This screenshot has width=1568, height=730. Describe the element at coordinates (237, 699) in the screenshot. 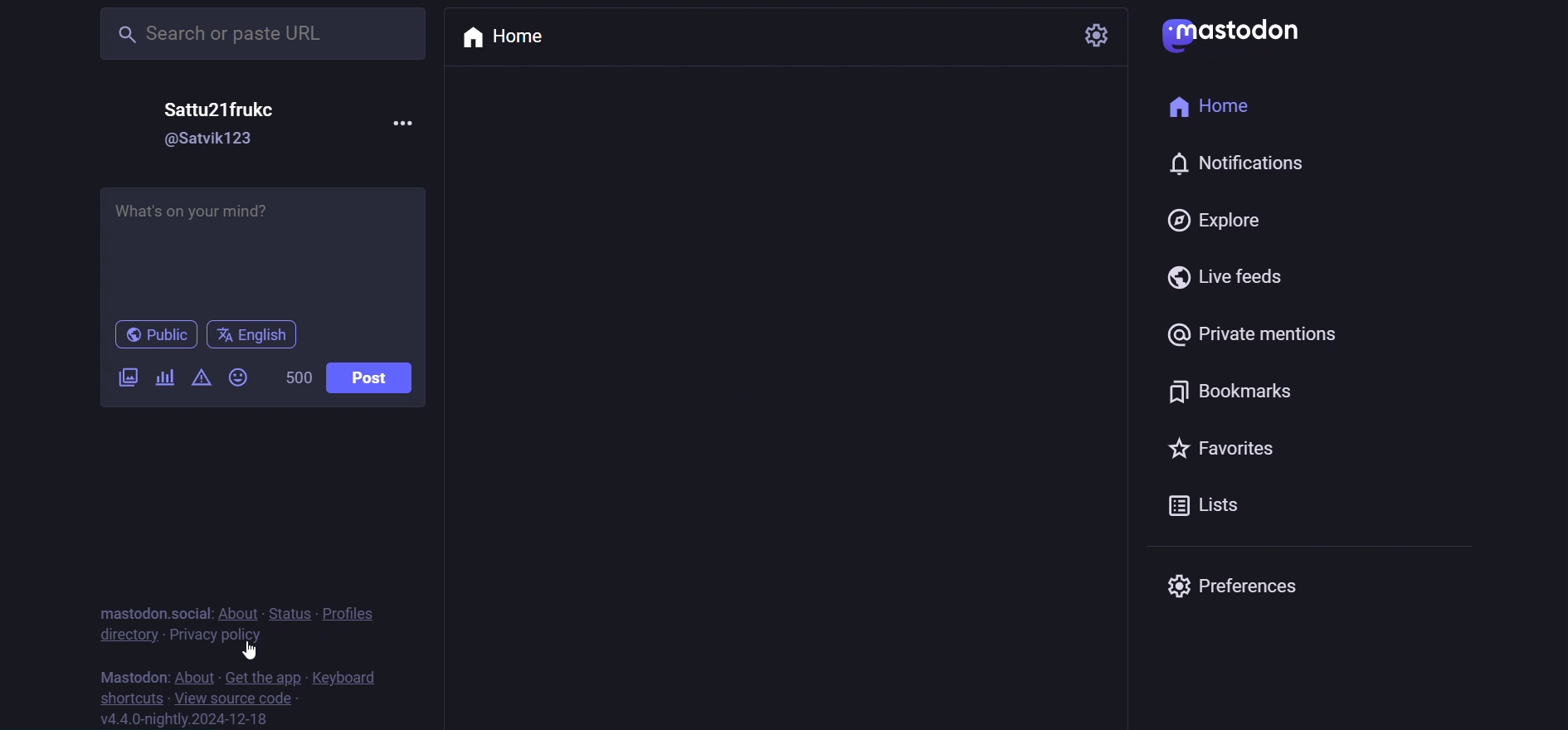

I see `source code` at that location.